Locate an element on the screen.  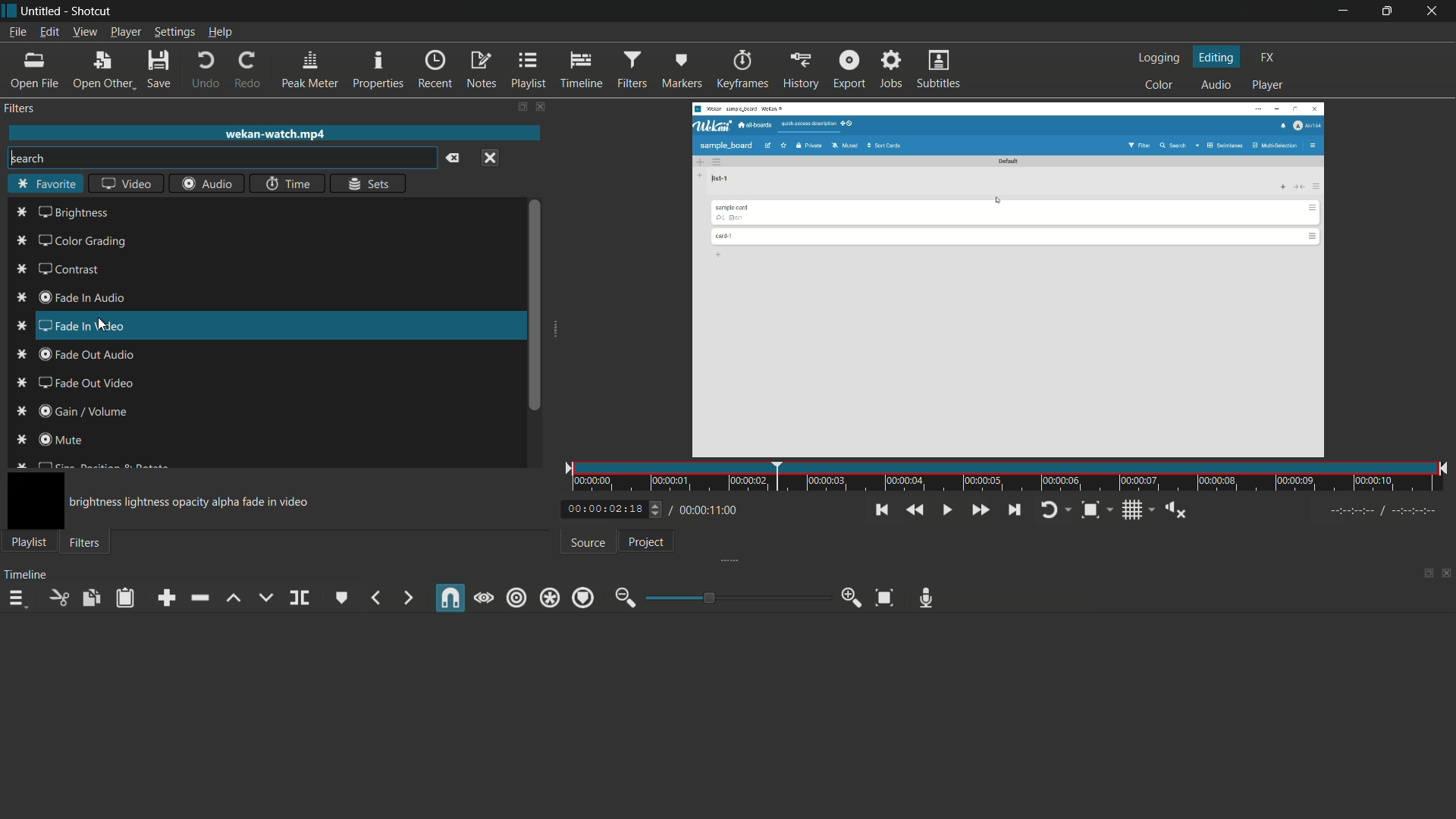
expand is located at coordinates (736, 559).